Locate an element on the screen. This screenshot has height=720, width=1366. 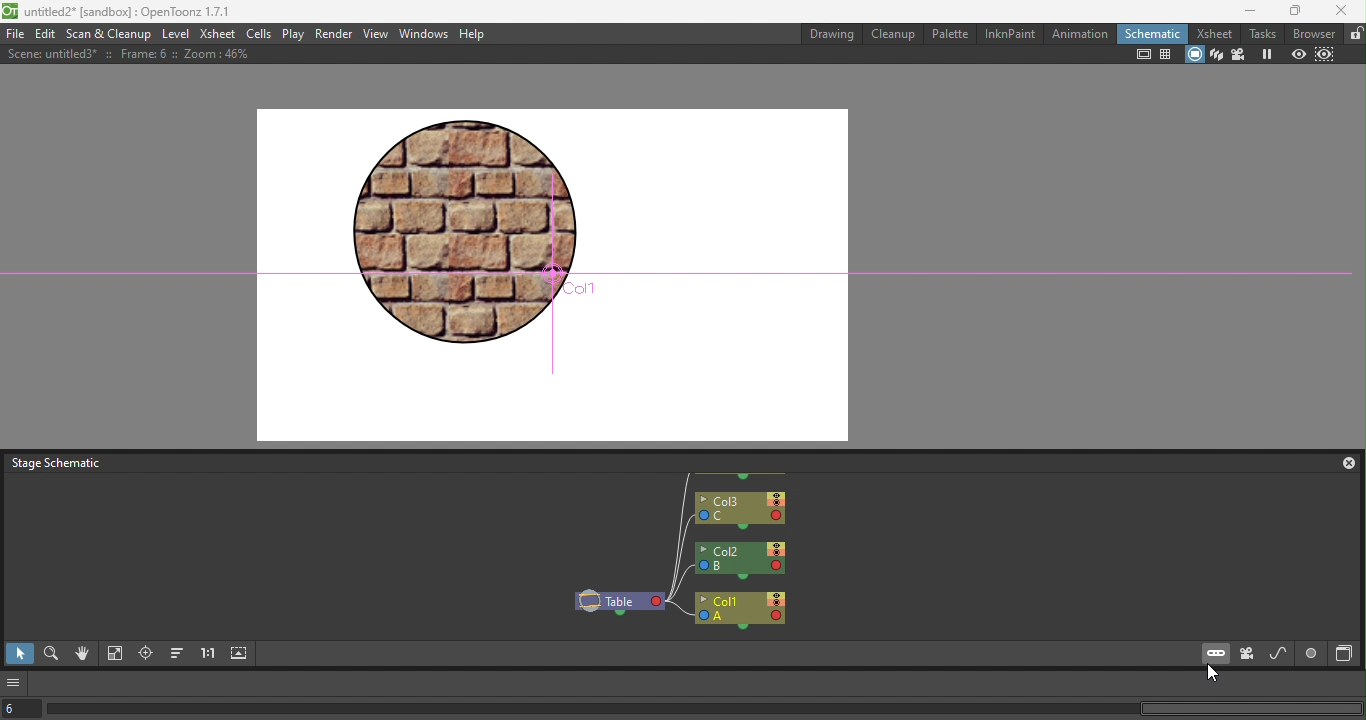
Col2: B is located at coordinates (740, 561).